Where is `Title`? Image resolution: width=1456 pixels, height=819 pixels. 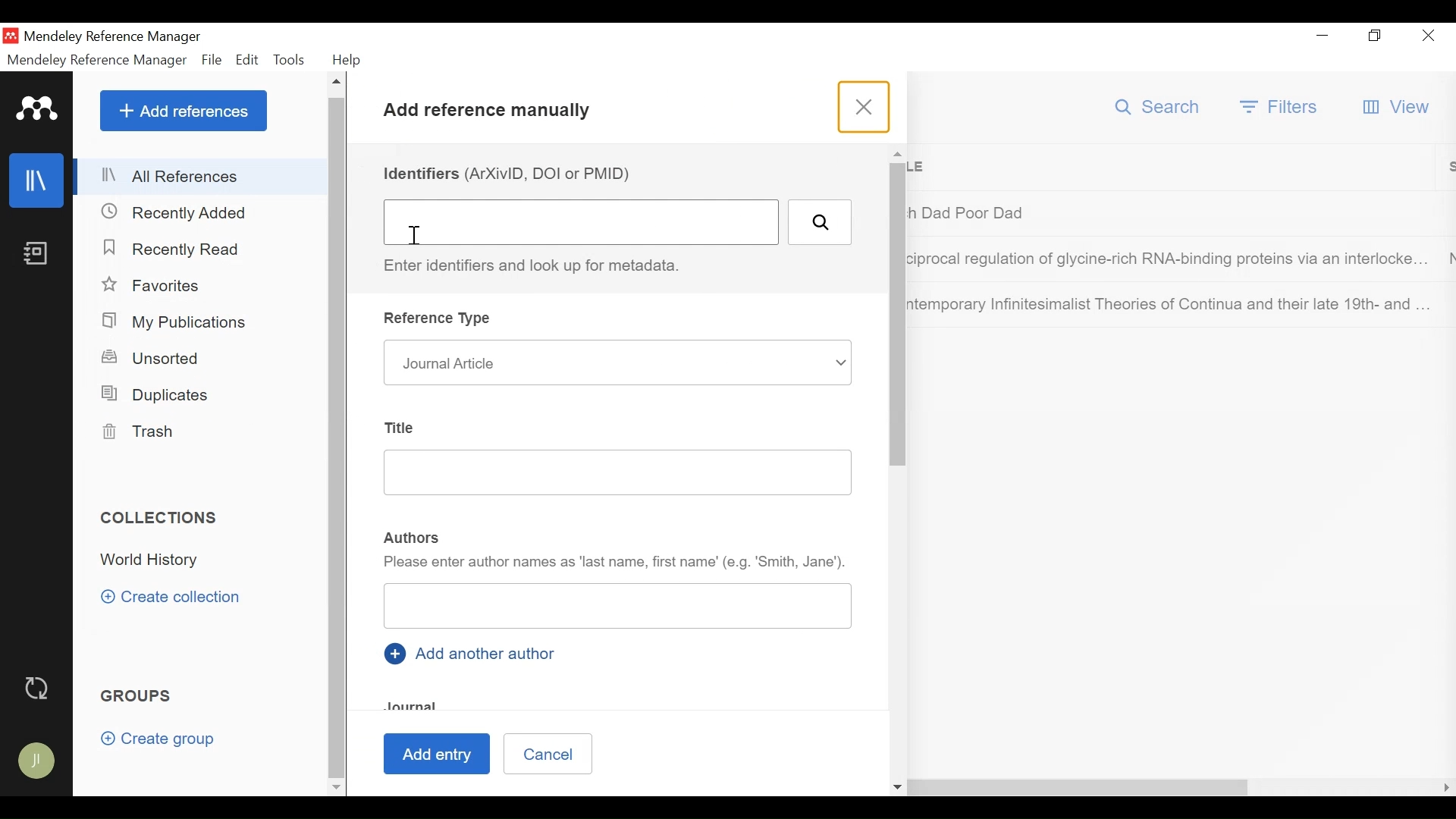
Title is located at coordinates (1177, 168).